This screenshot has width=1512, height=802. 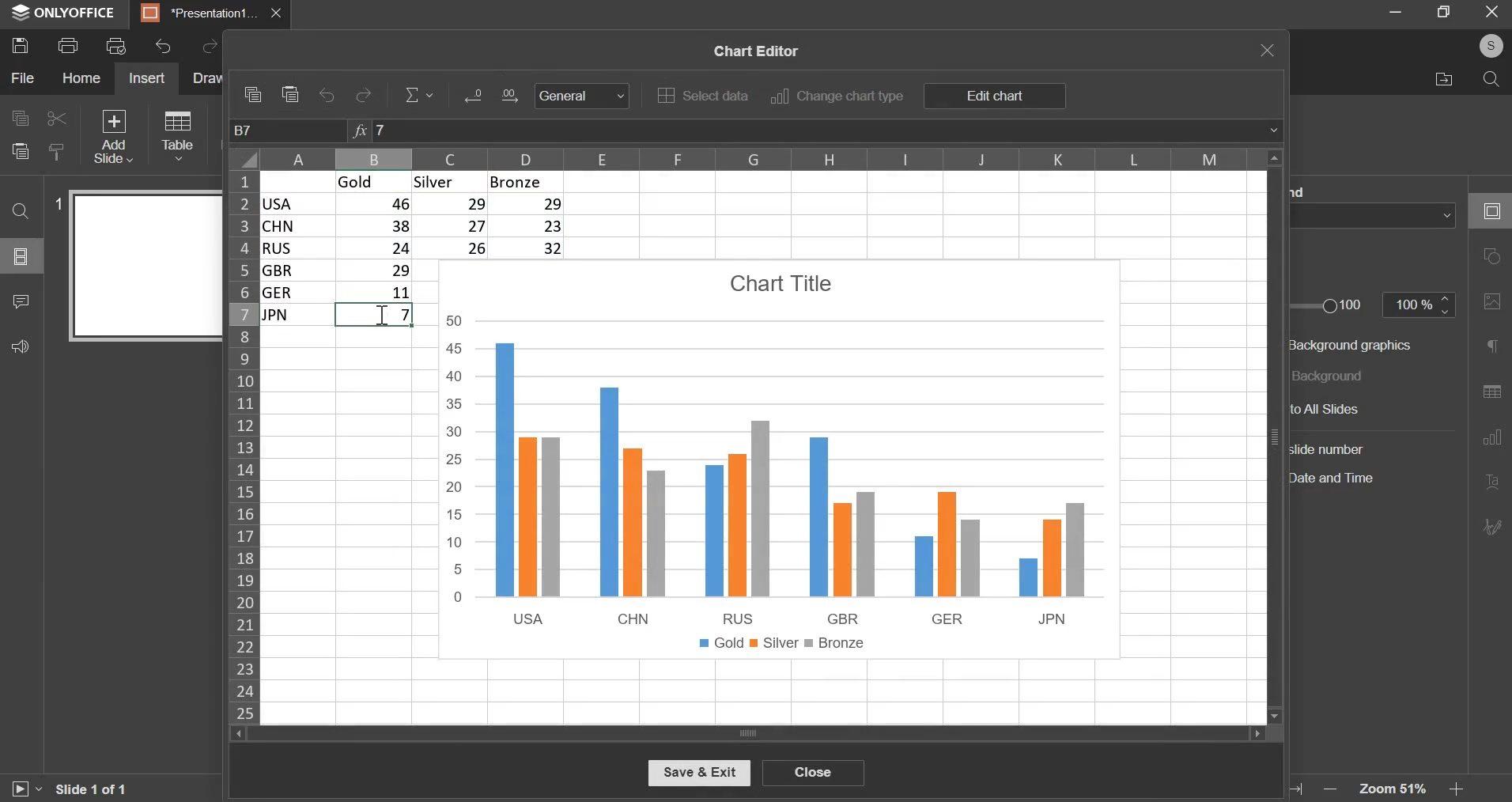 I want to click on slide settings, so click(x=1489, y=208).